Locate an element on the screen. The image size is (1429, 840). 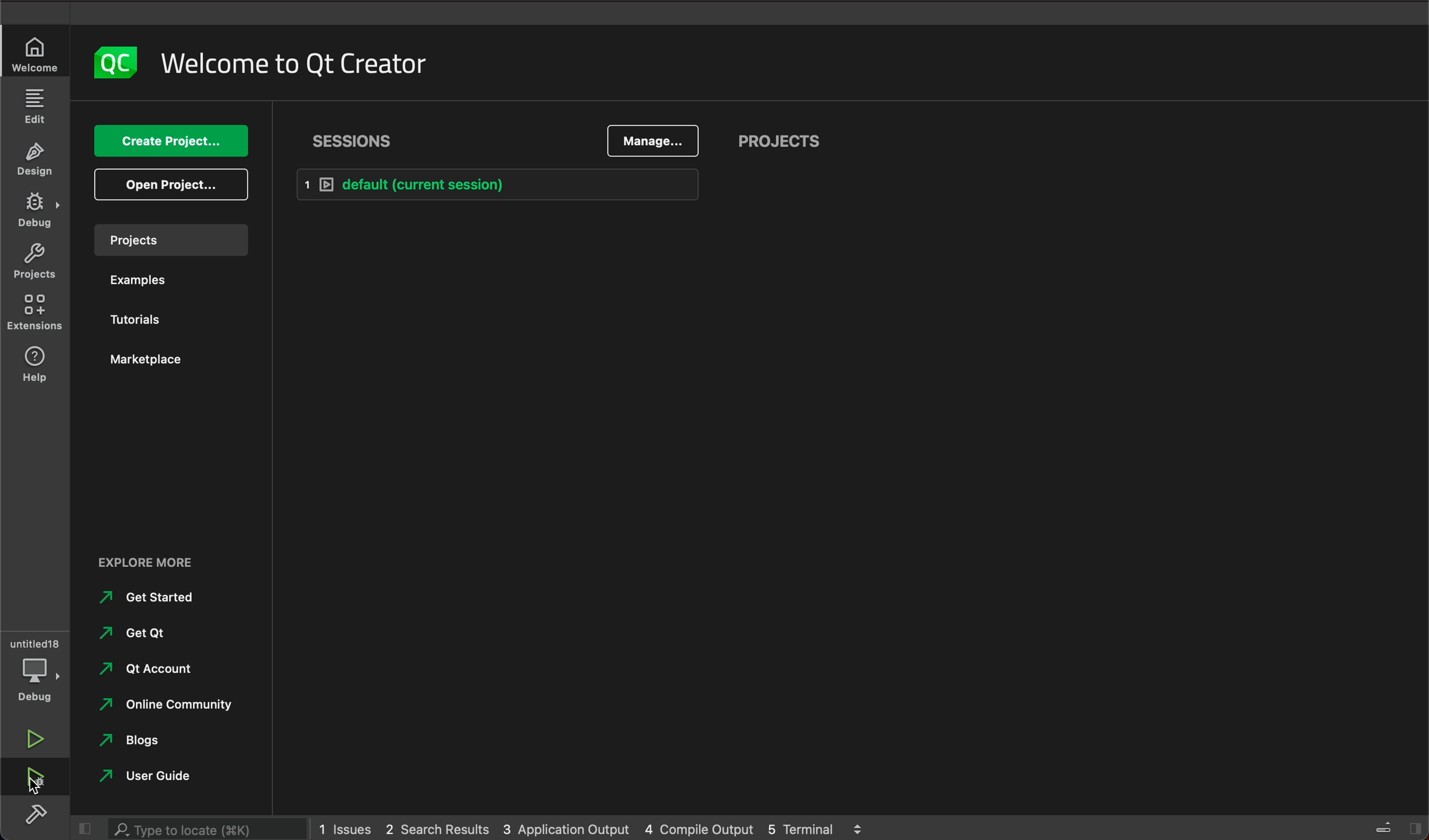
welcome is located at coordinates (34, 54).